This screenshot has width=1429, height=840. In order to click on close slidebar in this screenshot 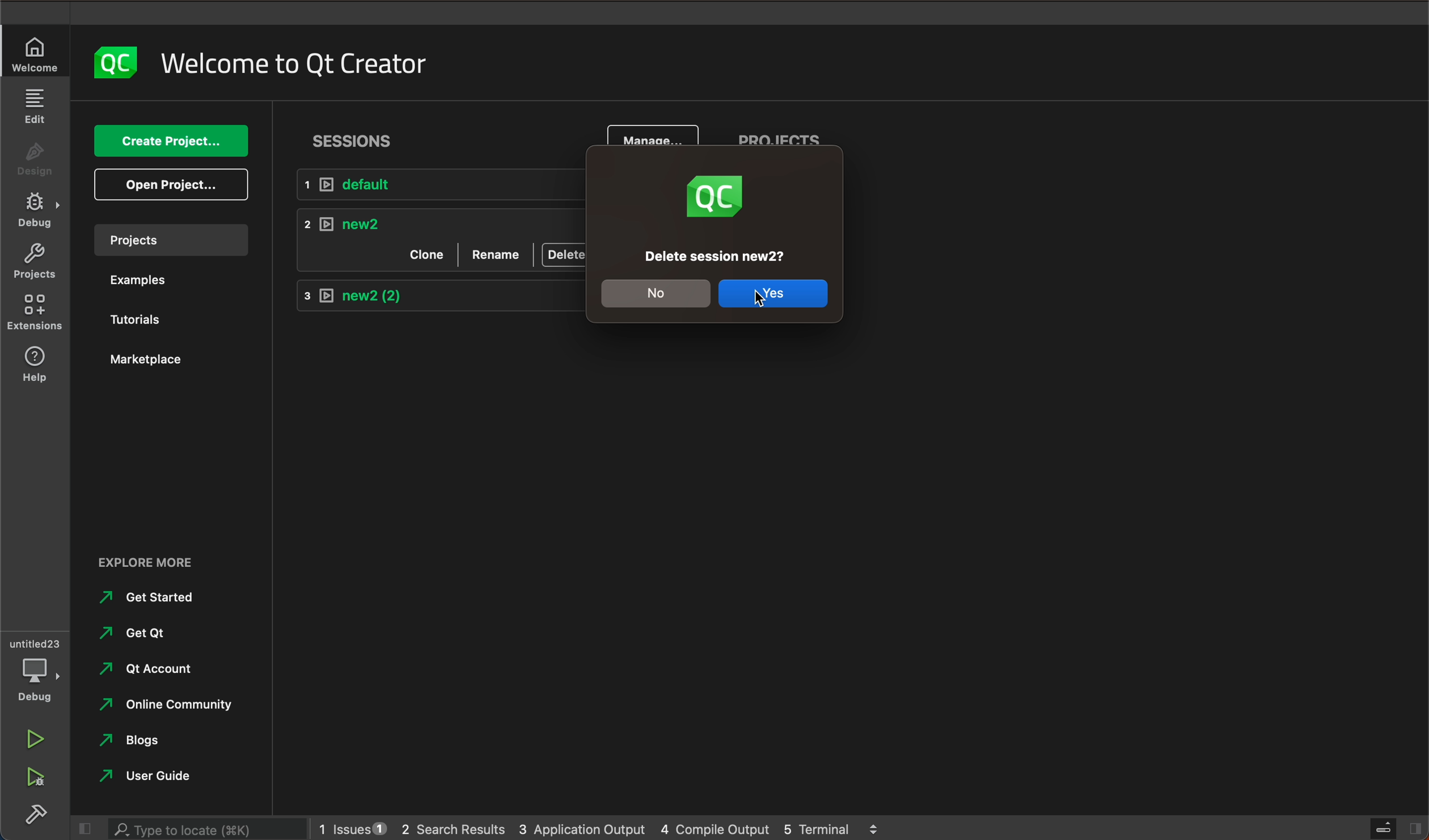, I will do `click(1393, 828)`.